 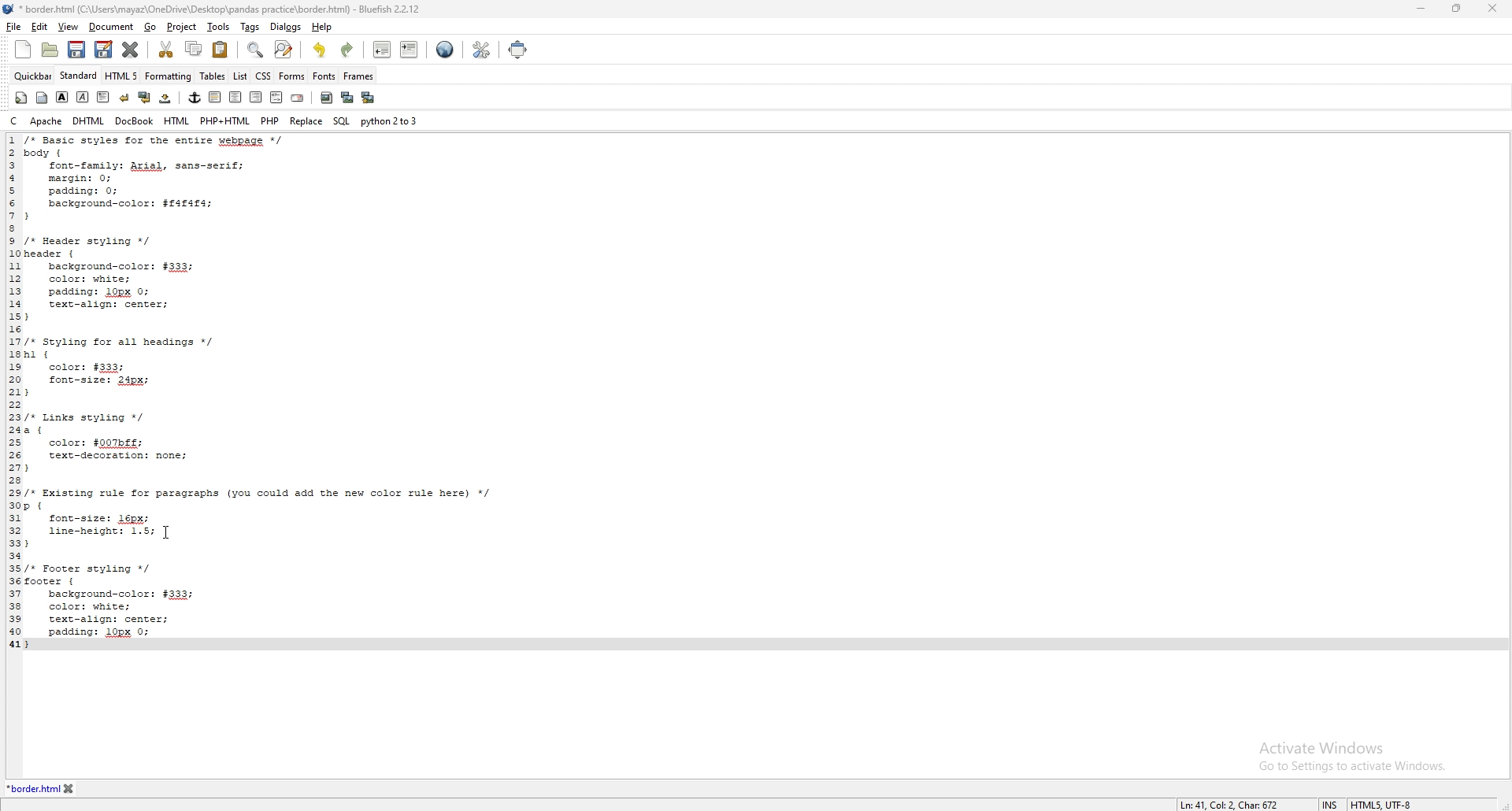 I want to click on preview in web, so click(x=446, y=49).